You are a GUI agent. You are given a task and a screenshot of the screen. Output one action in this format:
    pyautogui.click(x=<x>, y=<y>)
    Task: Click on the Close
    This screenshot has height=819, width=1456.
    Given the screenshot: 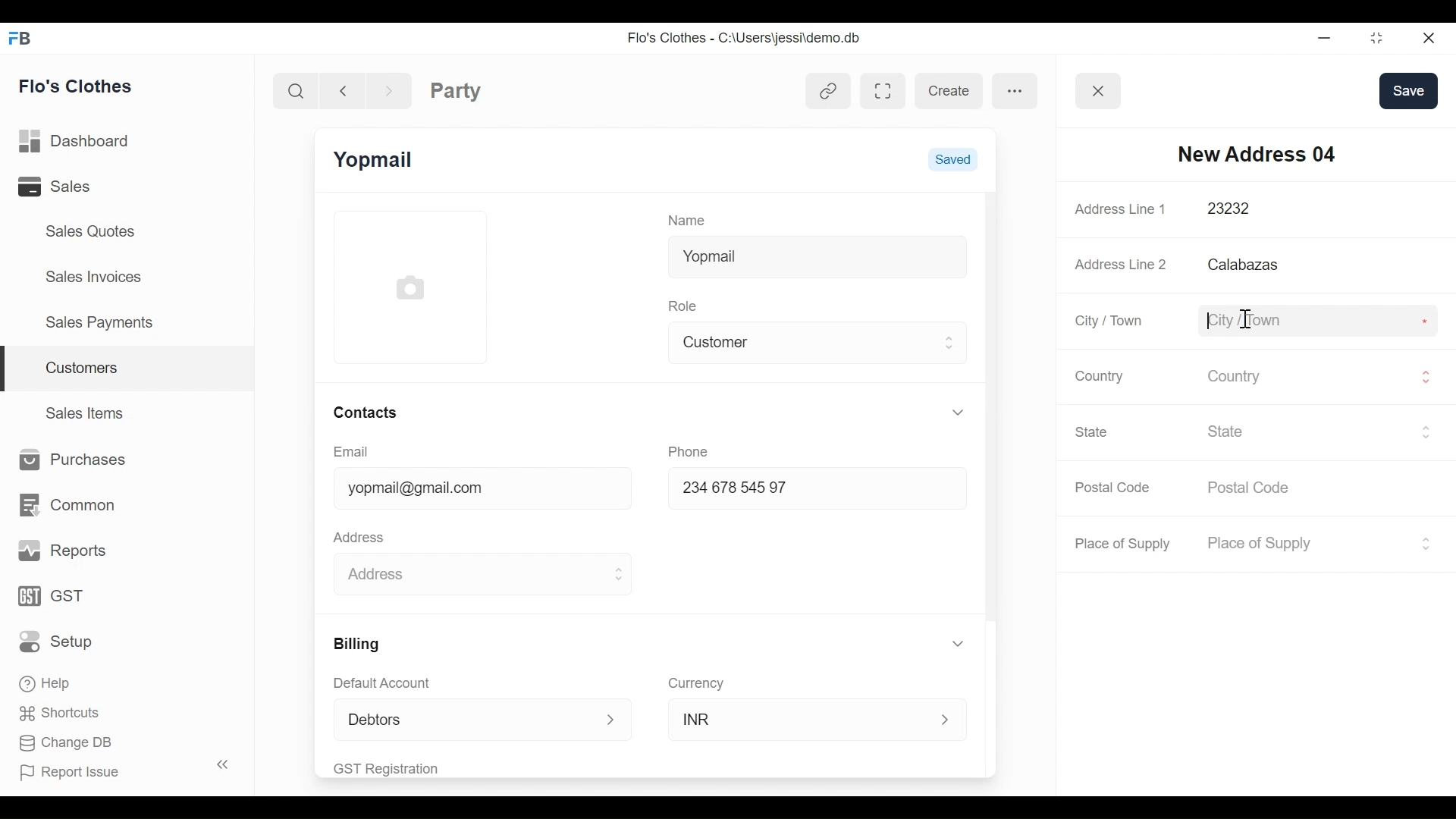 What is the action you would take?
    pyautogui.click(x=1426, y=37)
    